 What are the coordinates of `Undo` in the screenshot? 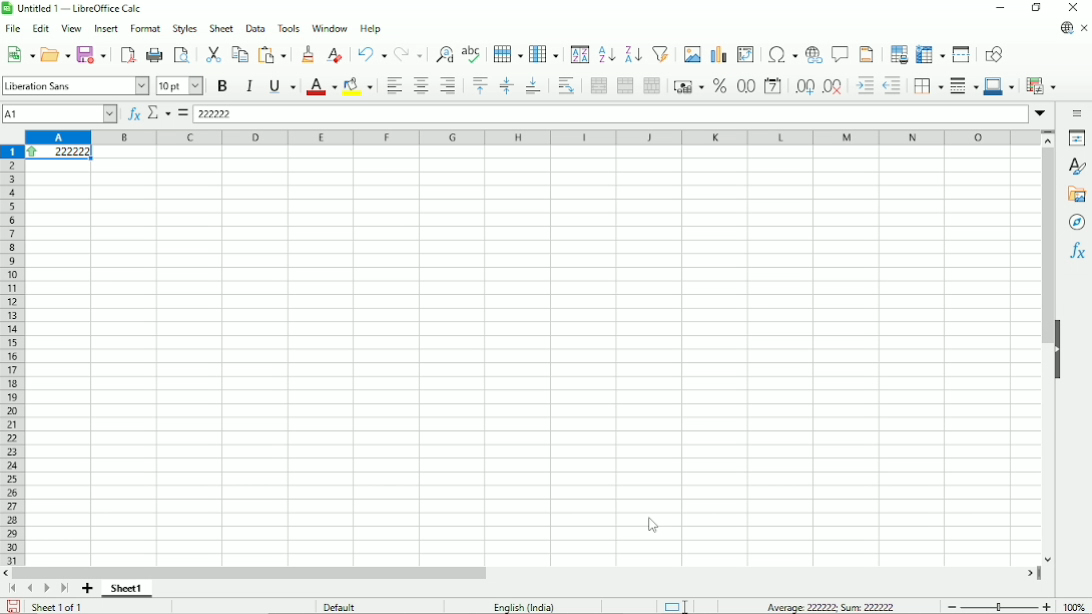 It's located at (371, 53).